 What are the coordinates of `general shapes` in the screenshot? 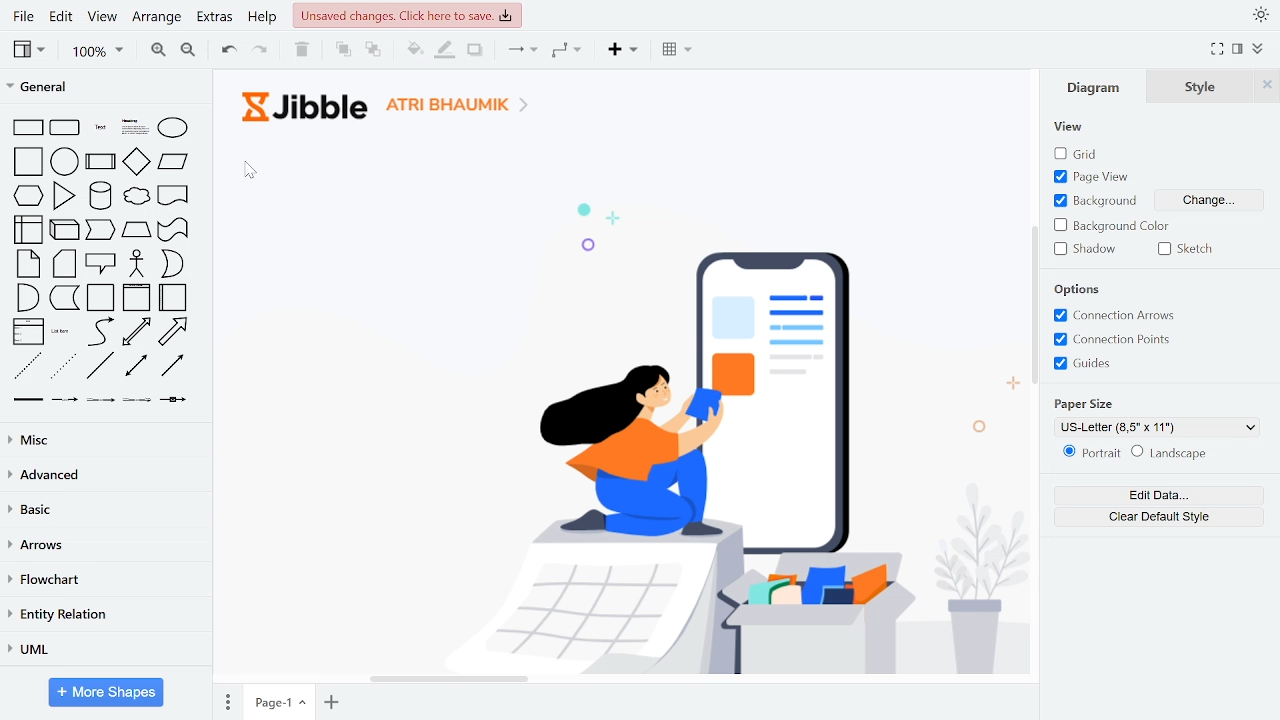 It's located at (26, 126).